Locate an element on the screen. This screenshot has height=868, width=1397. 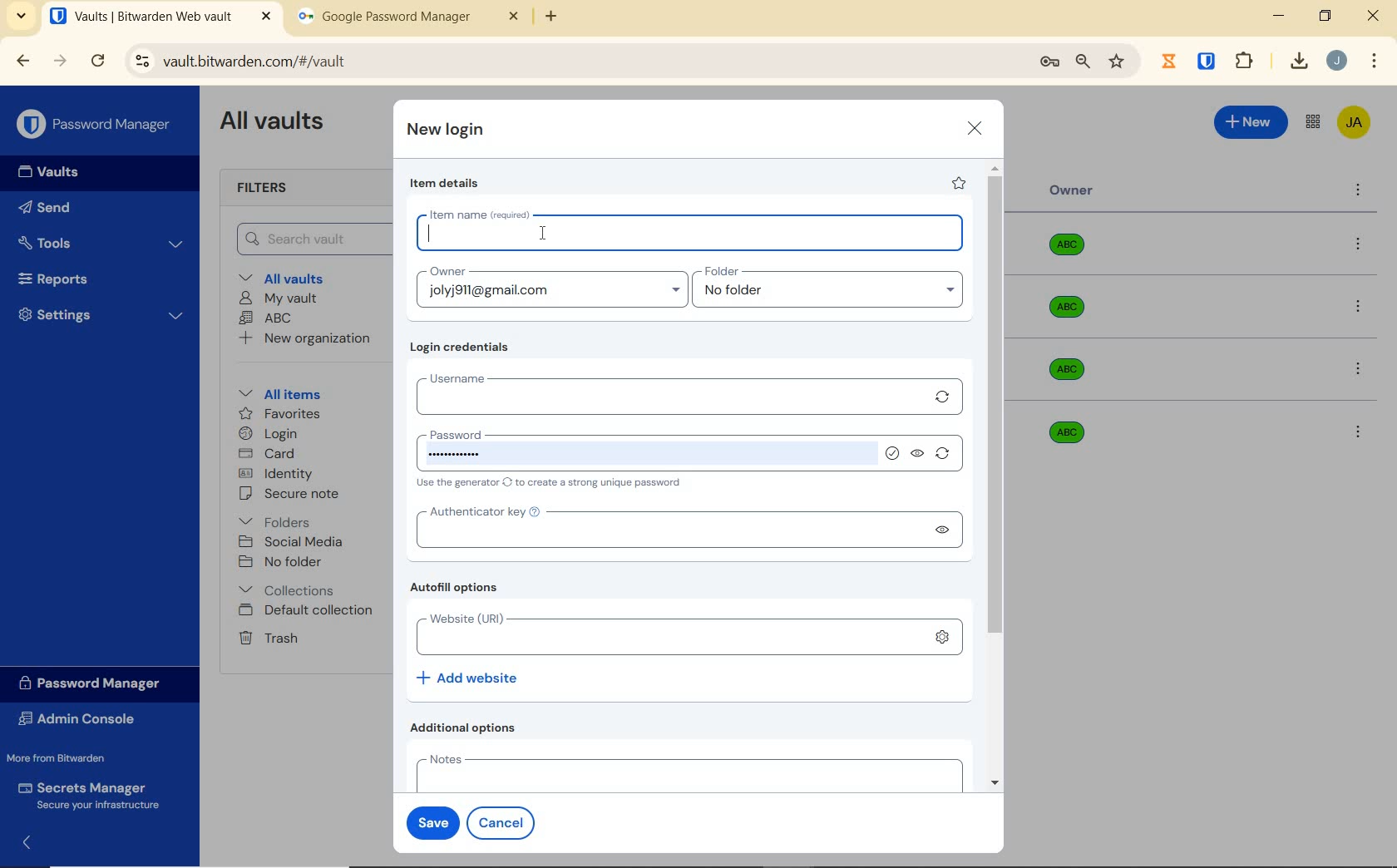
open tab is located at coordinates (160, 17).